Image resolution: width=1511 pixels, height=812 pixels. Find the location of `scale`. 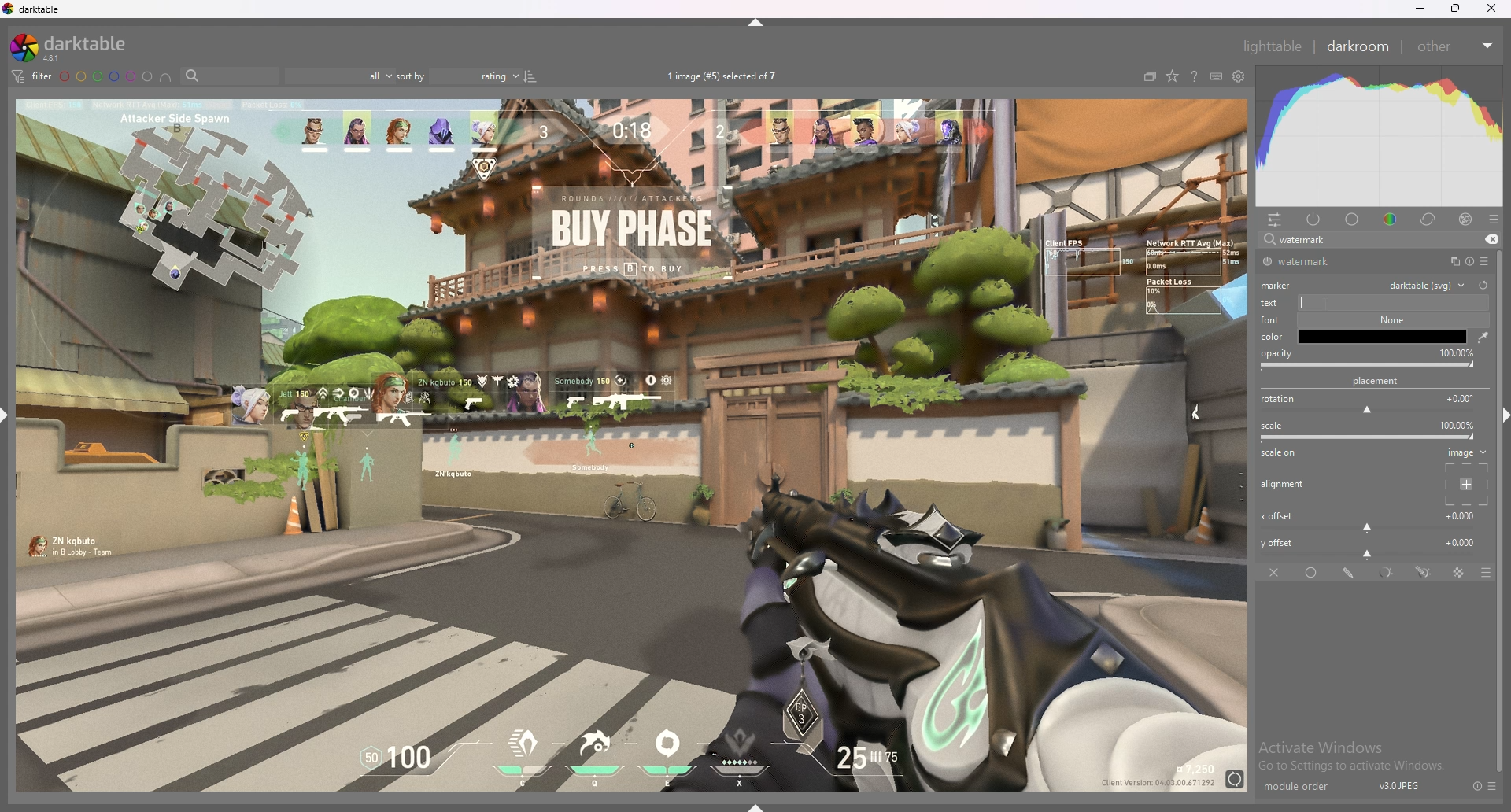

scale is located at coordinates (1371, 431).